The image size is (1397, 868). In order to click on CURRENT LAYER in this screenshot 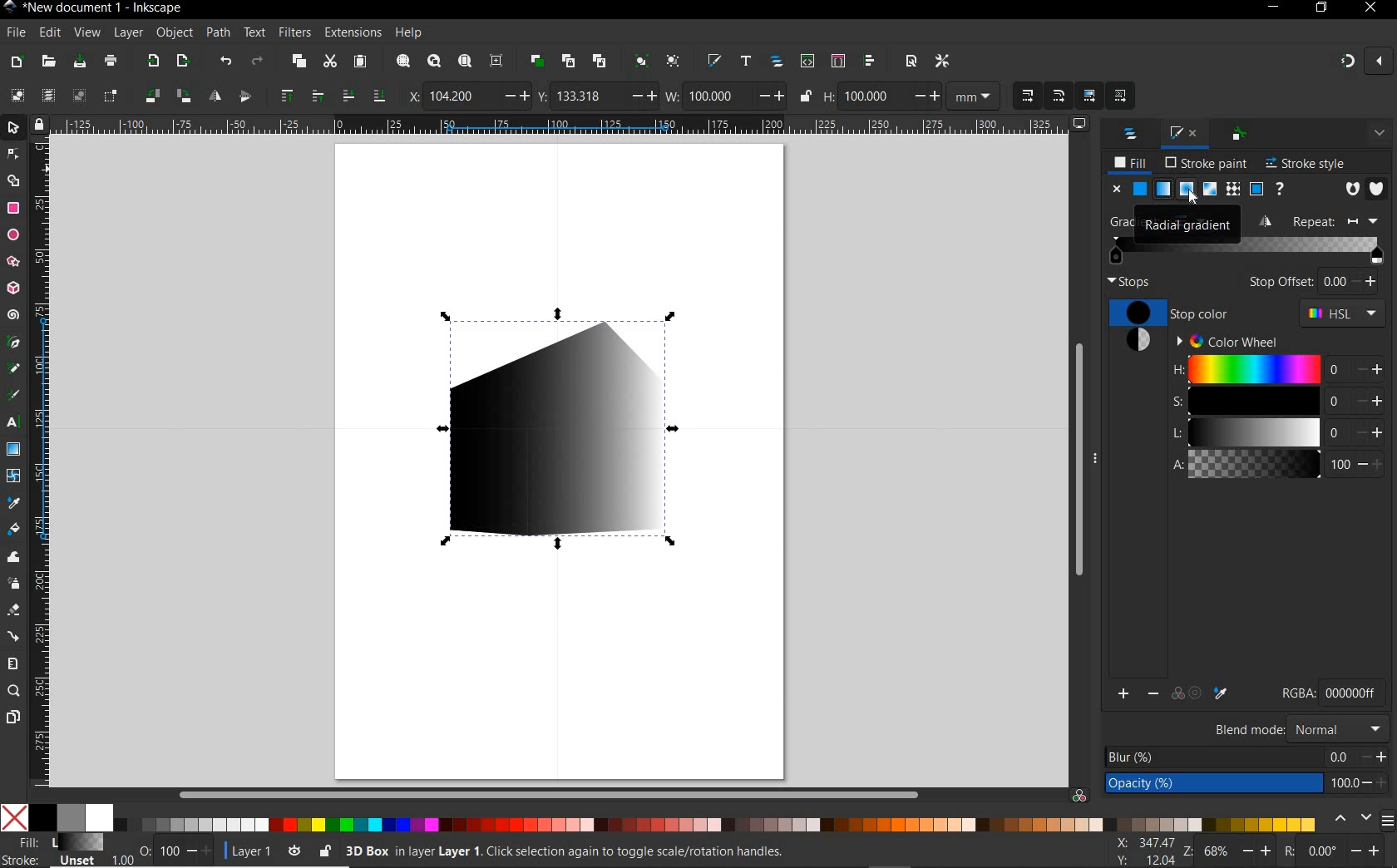, I will do `click(246, 851)`.